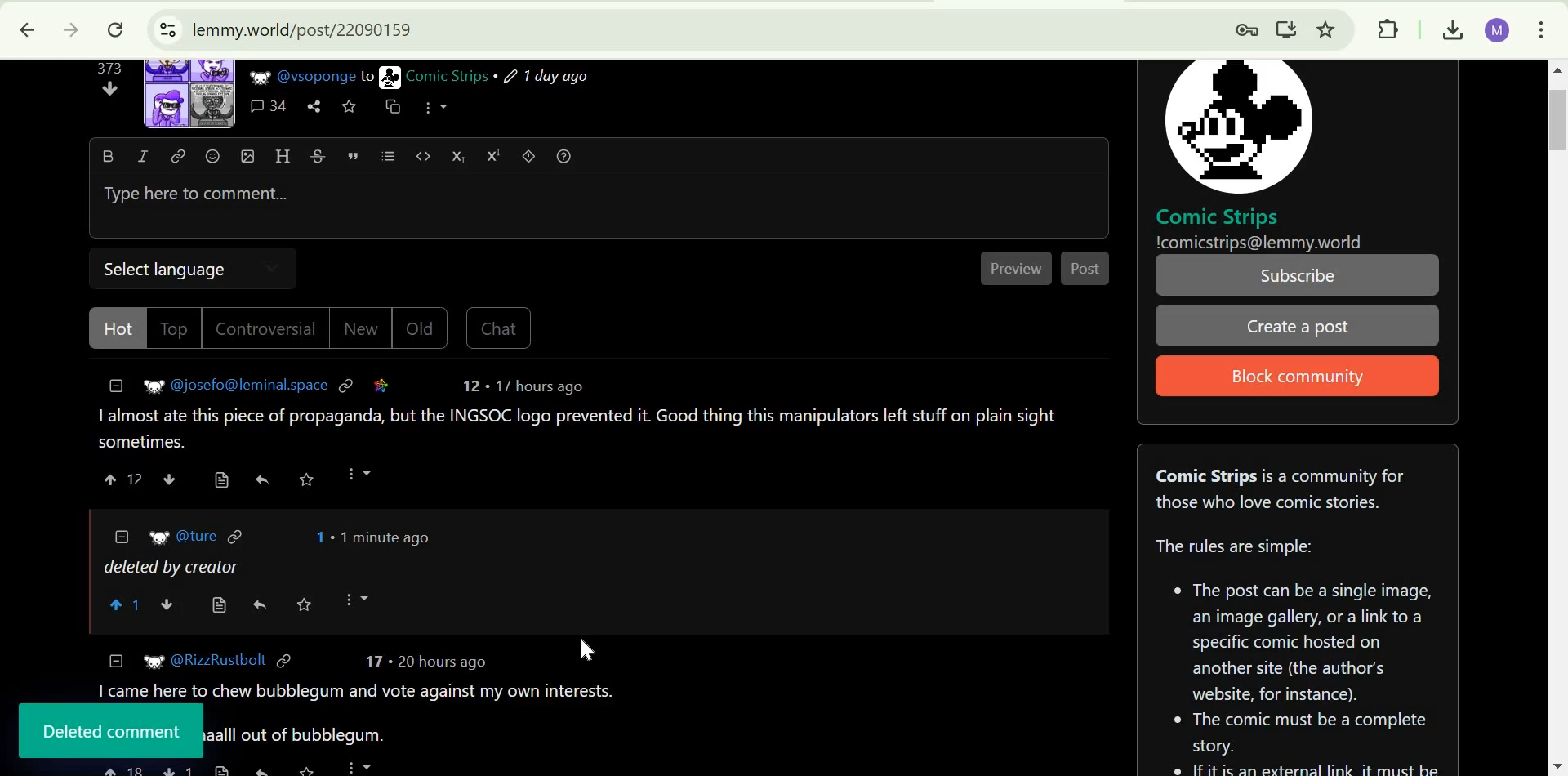 The width and height of the screenshot is (1568, 776). Describe the element at coordinates (537, 386) in the screenshot. I see `16 hours ago` at that location.